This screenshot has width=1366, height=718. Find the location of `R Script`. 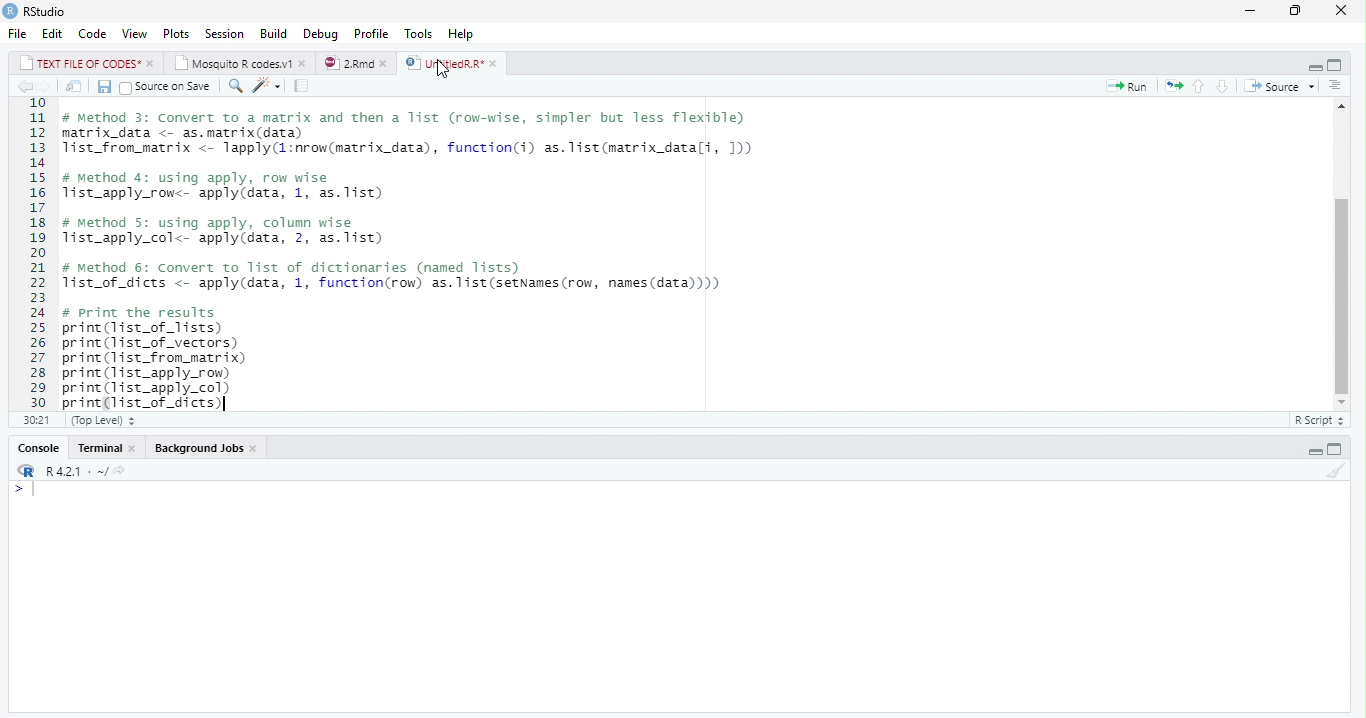

R Script is located at coordinates (1320, 419).